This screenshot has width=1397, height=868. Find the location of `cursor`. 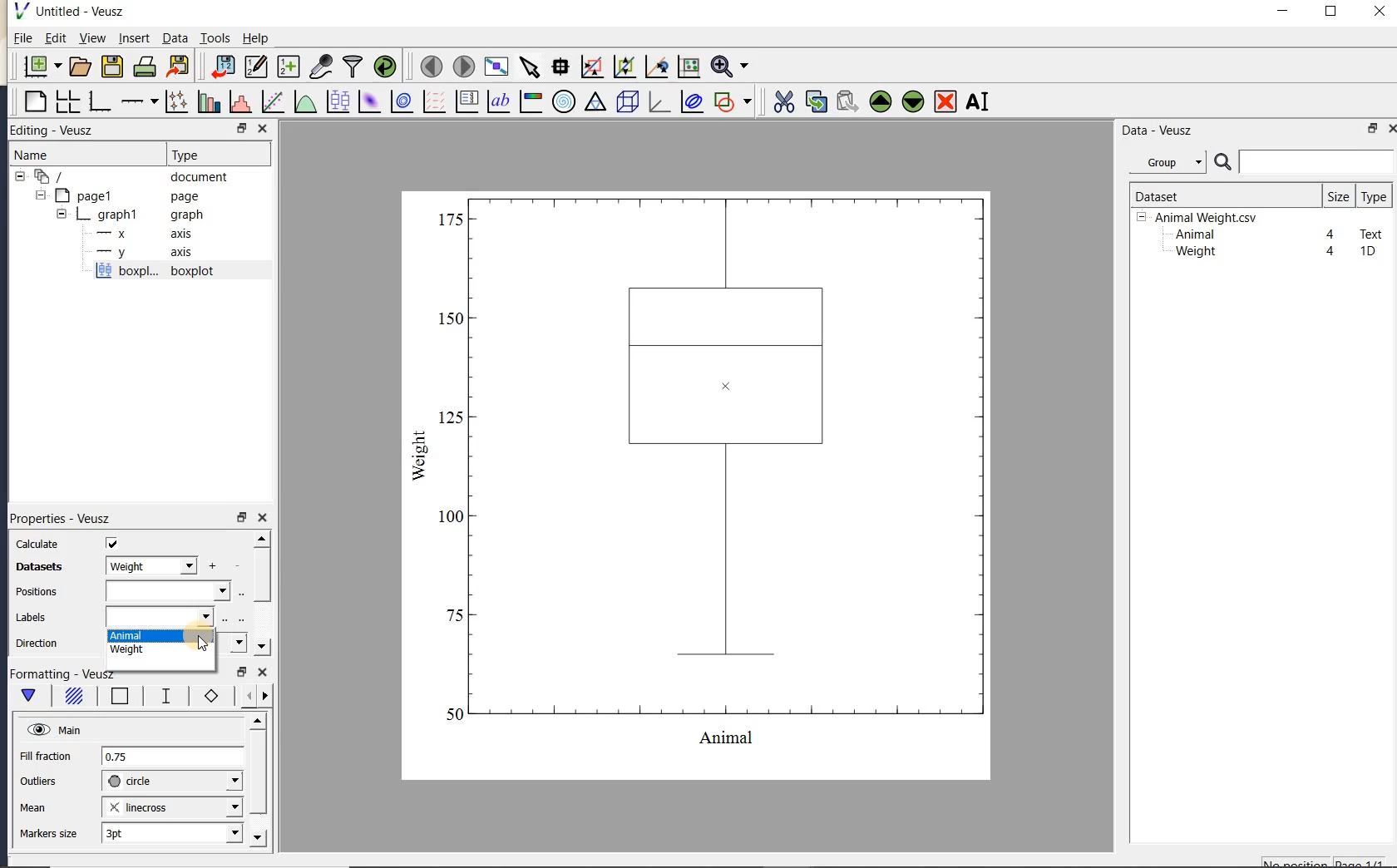

cursor is located at coordinates (205, 643).